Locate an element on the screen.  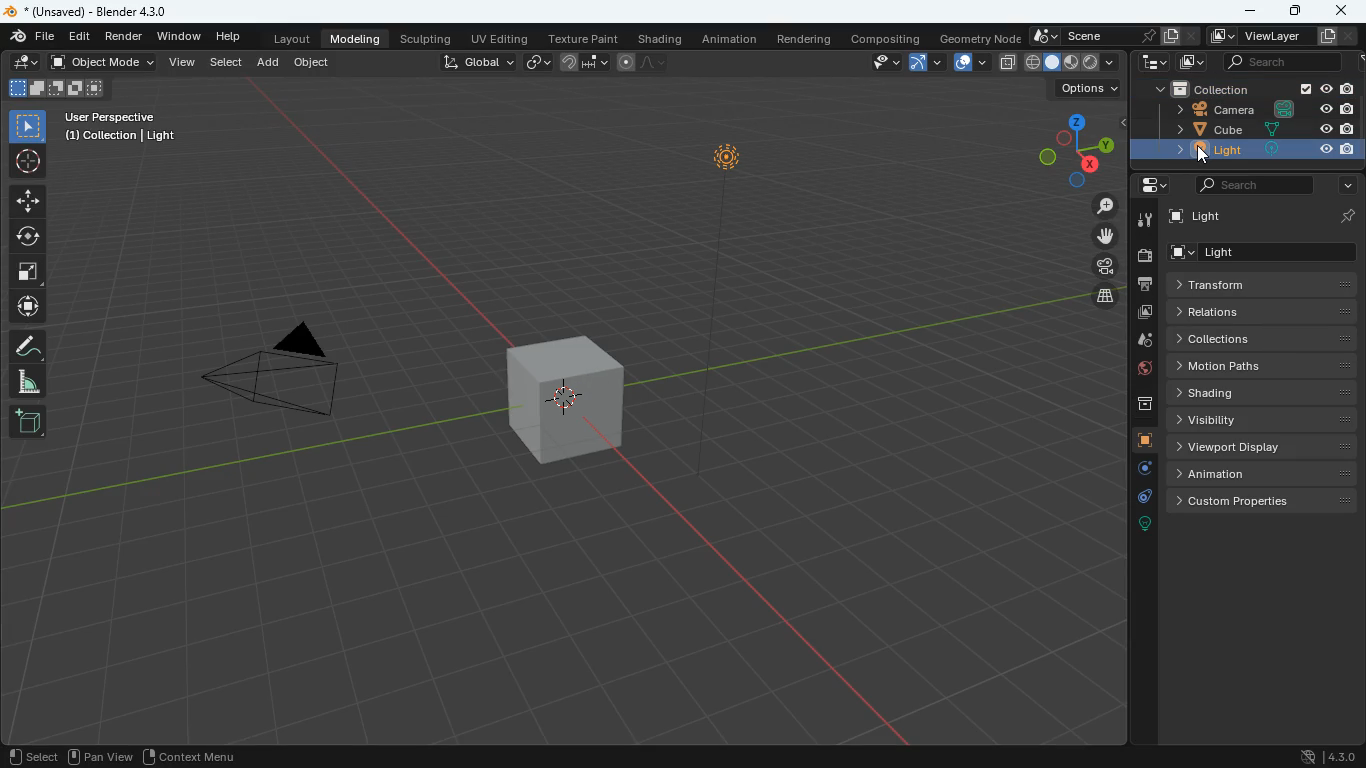
modeling is located at coordinates (357, 38).